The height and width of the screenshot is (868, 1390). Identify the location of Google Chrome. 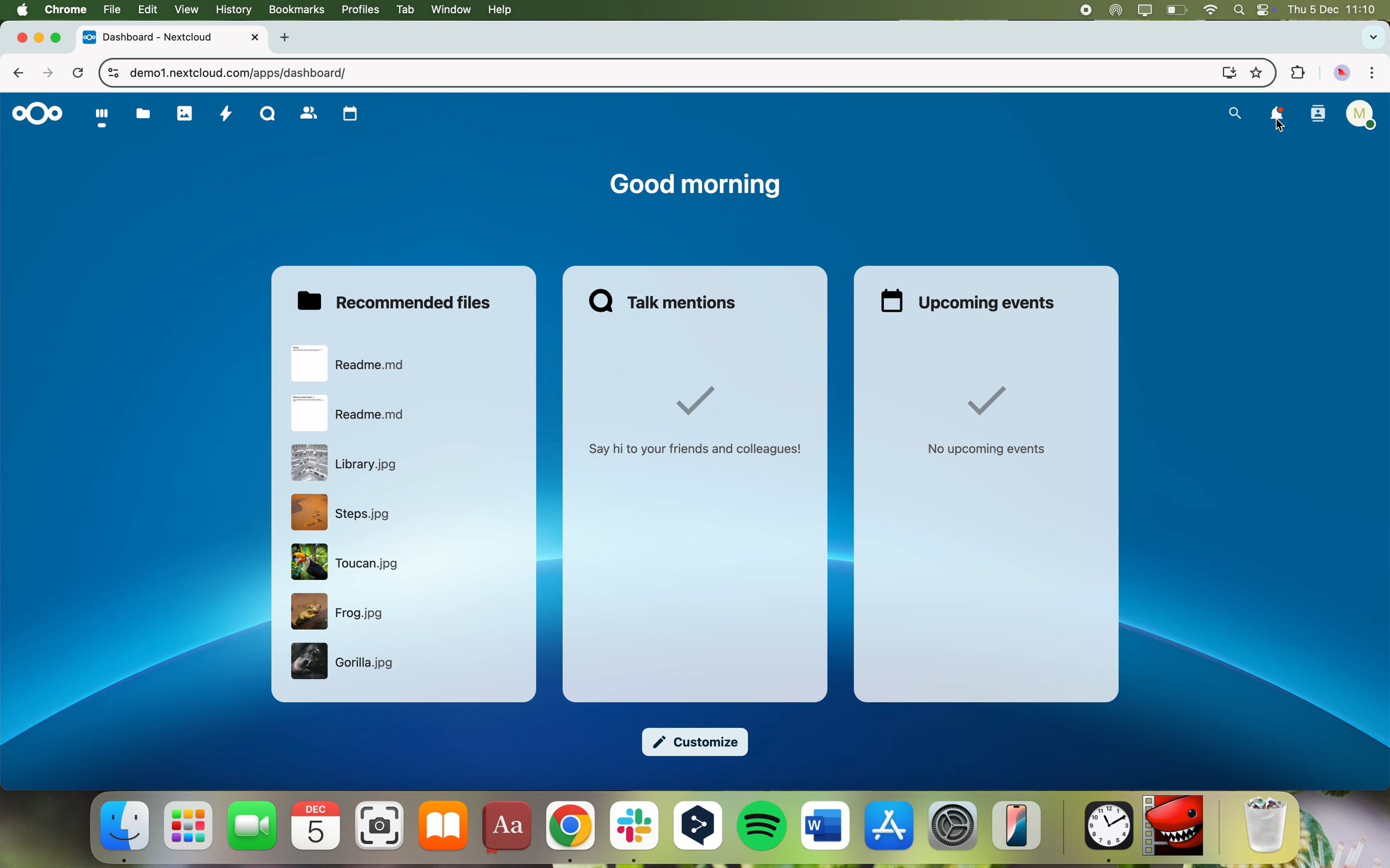
(569, 832).